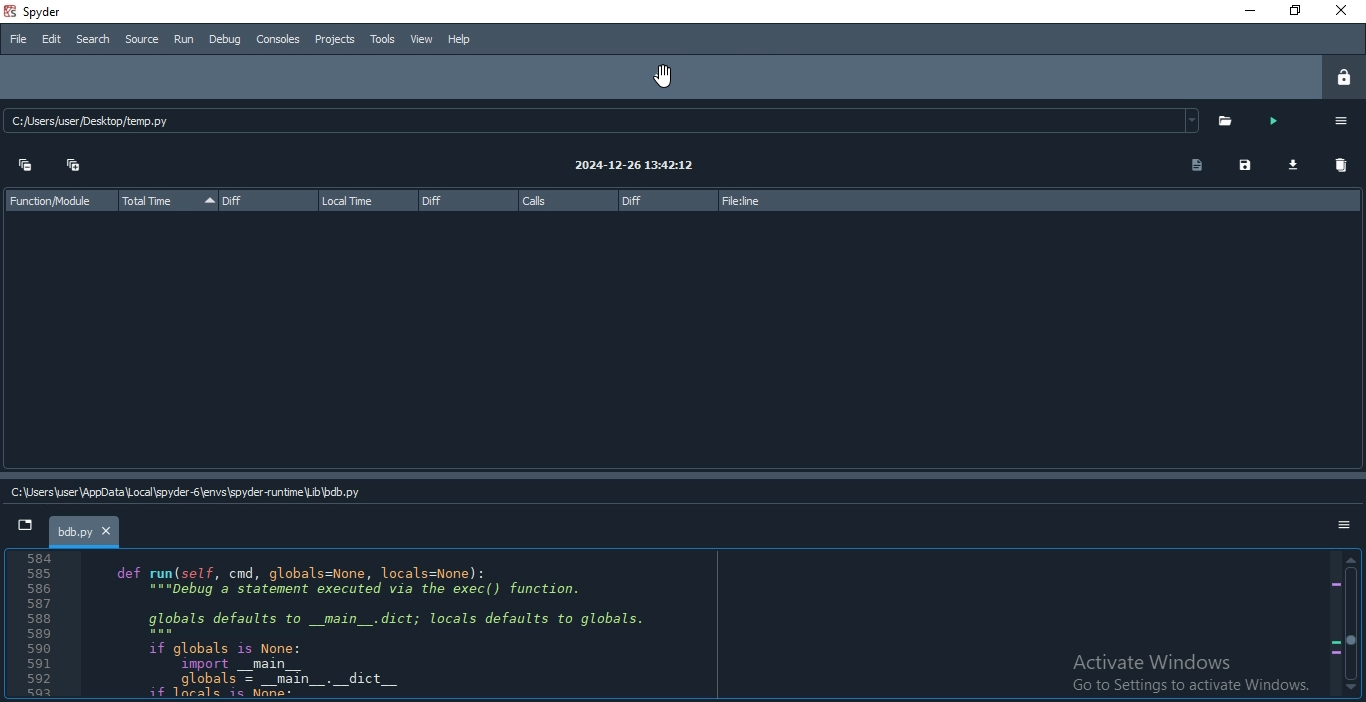 The image size is (1366, 702). I want to click on code in IDE, so click(661, 625).